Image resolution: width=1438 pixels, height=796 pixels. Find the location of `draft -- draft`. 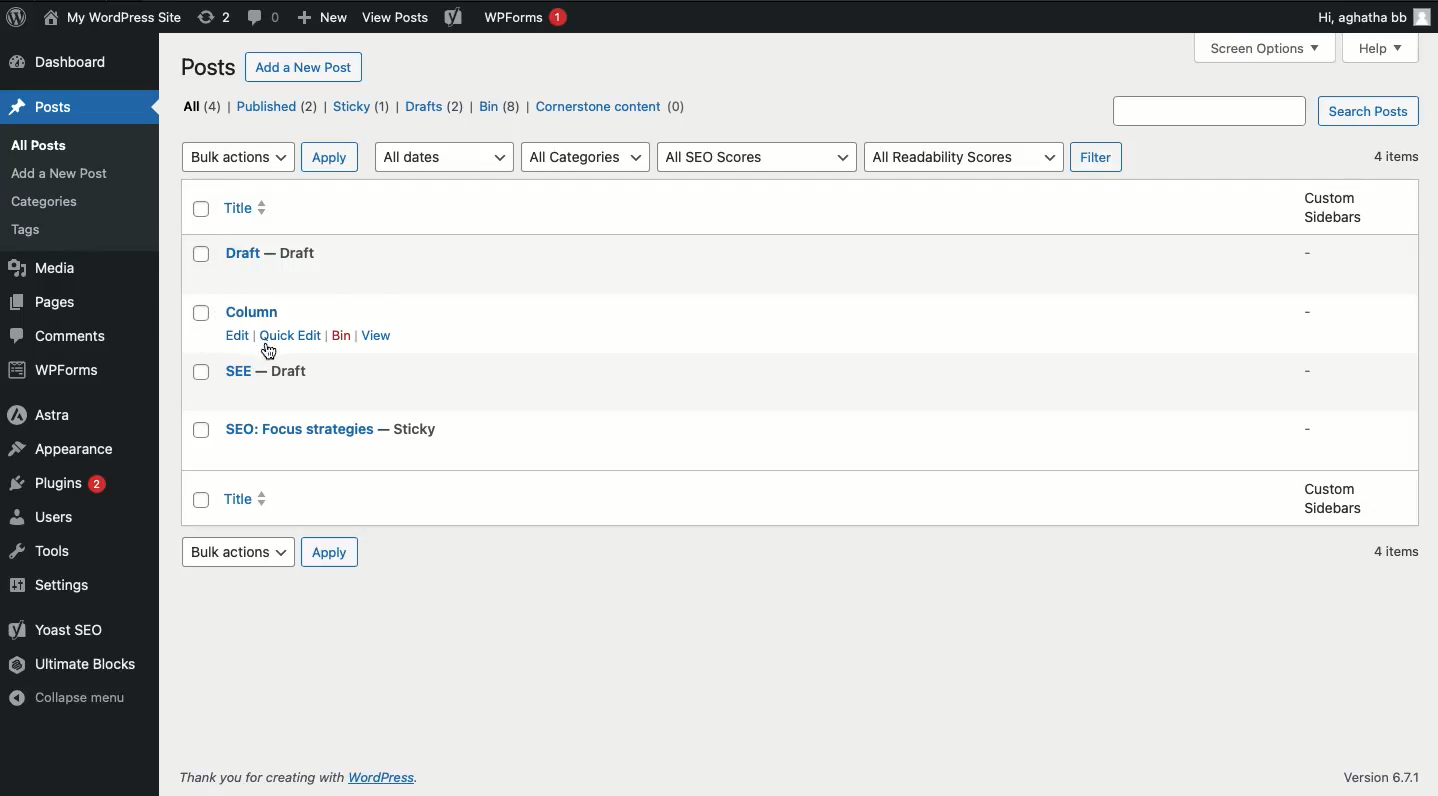

draft -- draft is located at coordinates (270, 254).